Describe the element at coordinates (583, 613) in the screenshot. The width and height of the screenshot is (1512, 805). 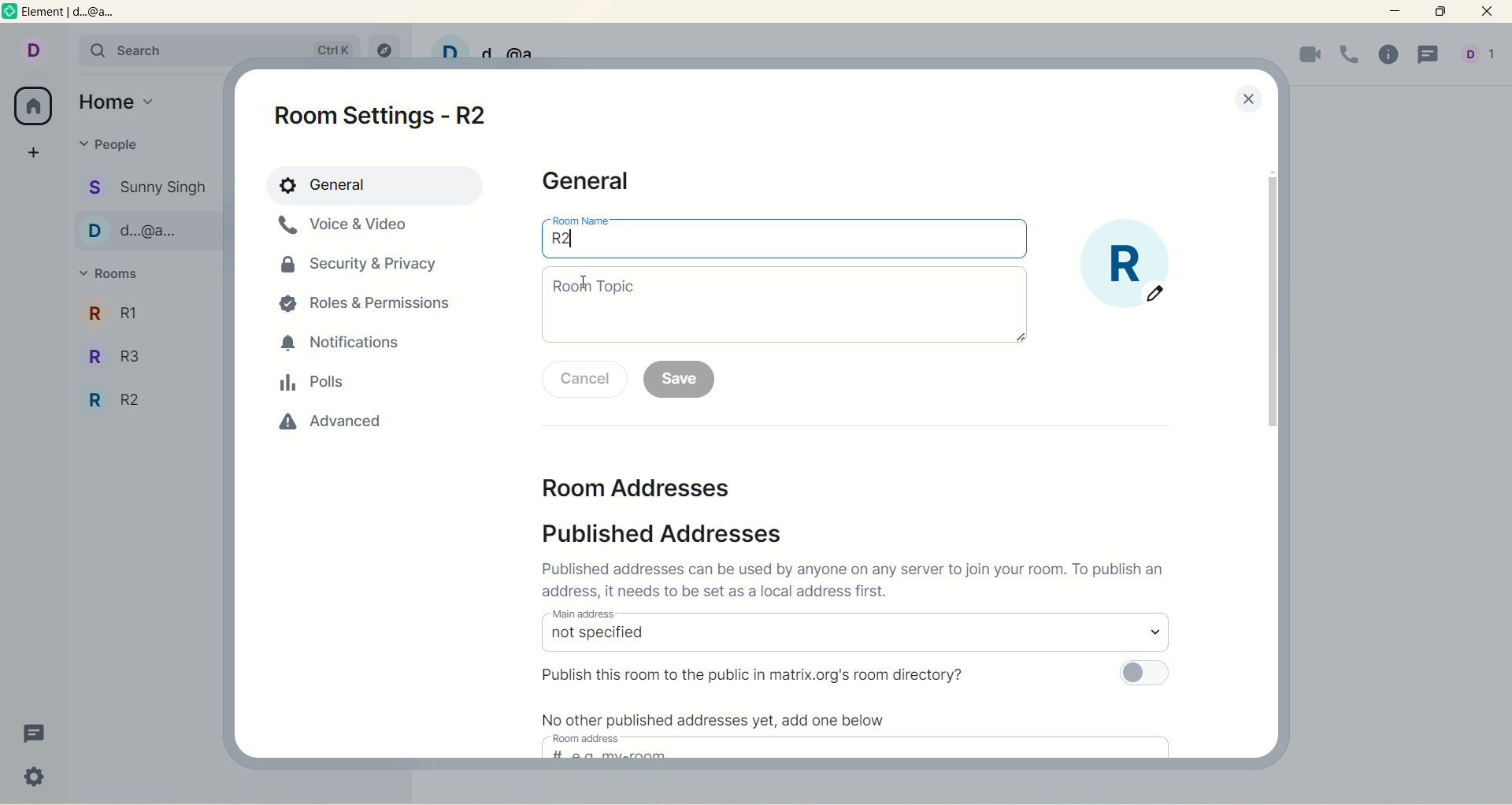
I see `main address` at that location.